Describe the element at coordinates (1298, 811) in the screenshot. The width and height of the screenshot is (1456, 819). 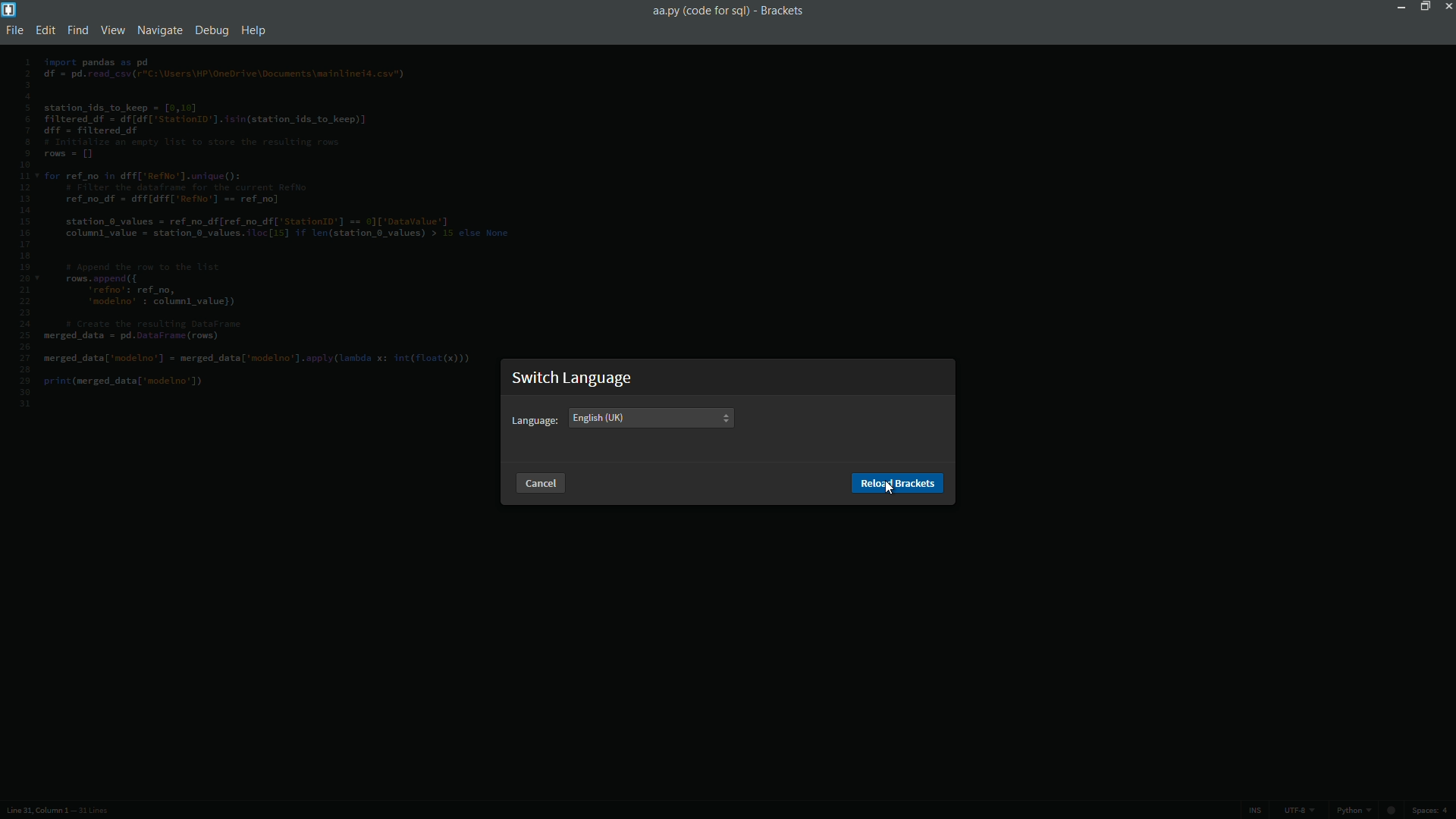
I see `file encoding` at that location.